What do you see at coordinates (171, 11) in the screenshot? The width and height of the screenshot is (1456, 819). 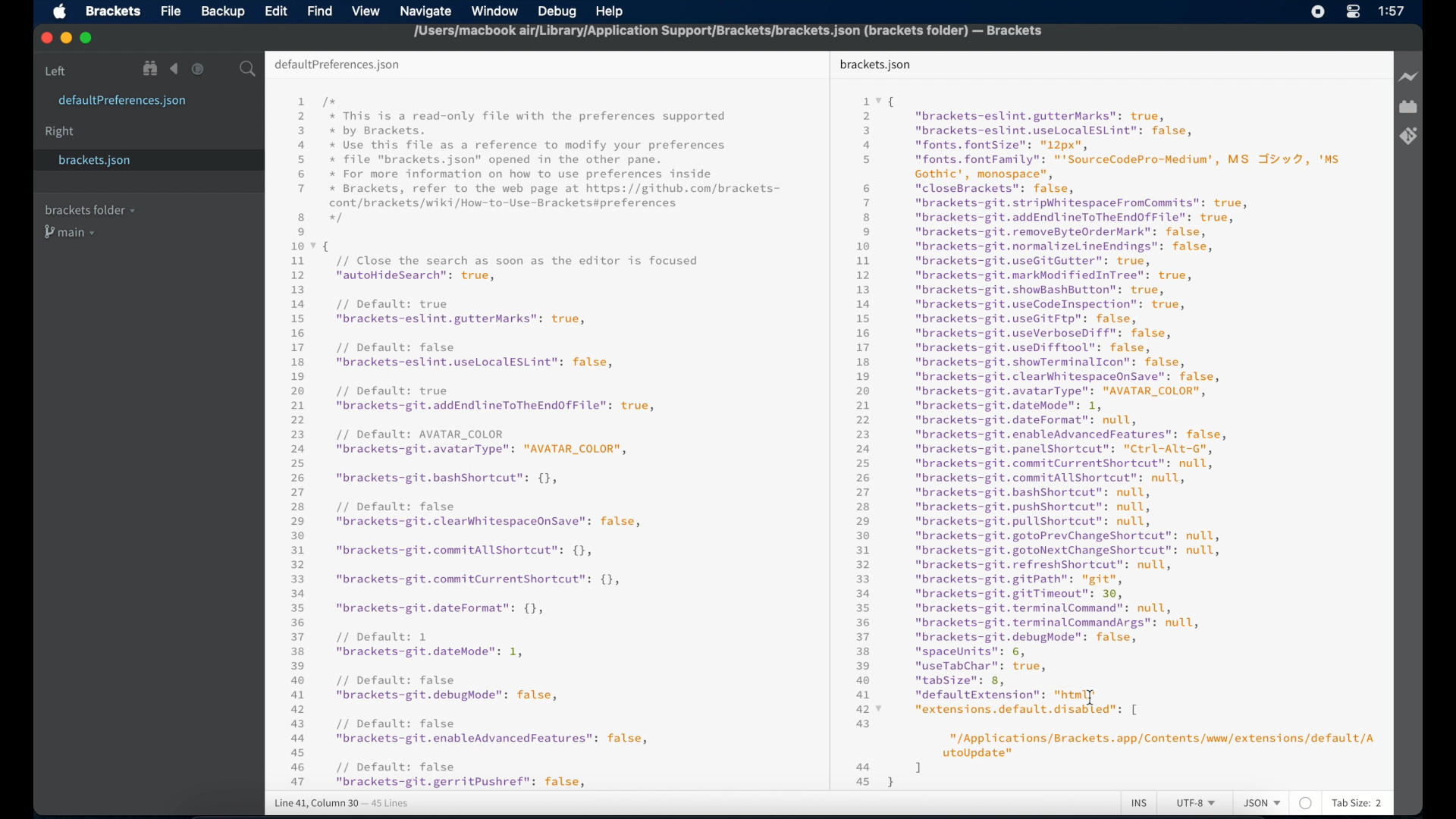 I see `file` at bounding box center [171, 11].